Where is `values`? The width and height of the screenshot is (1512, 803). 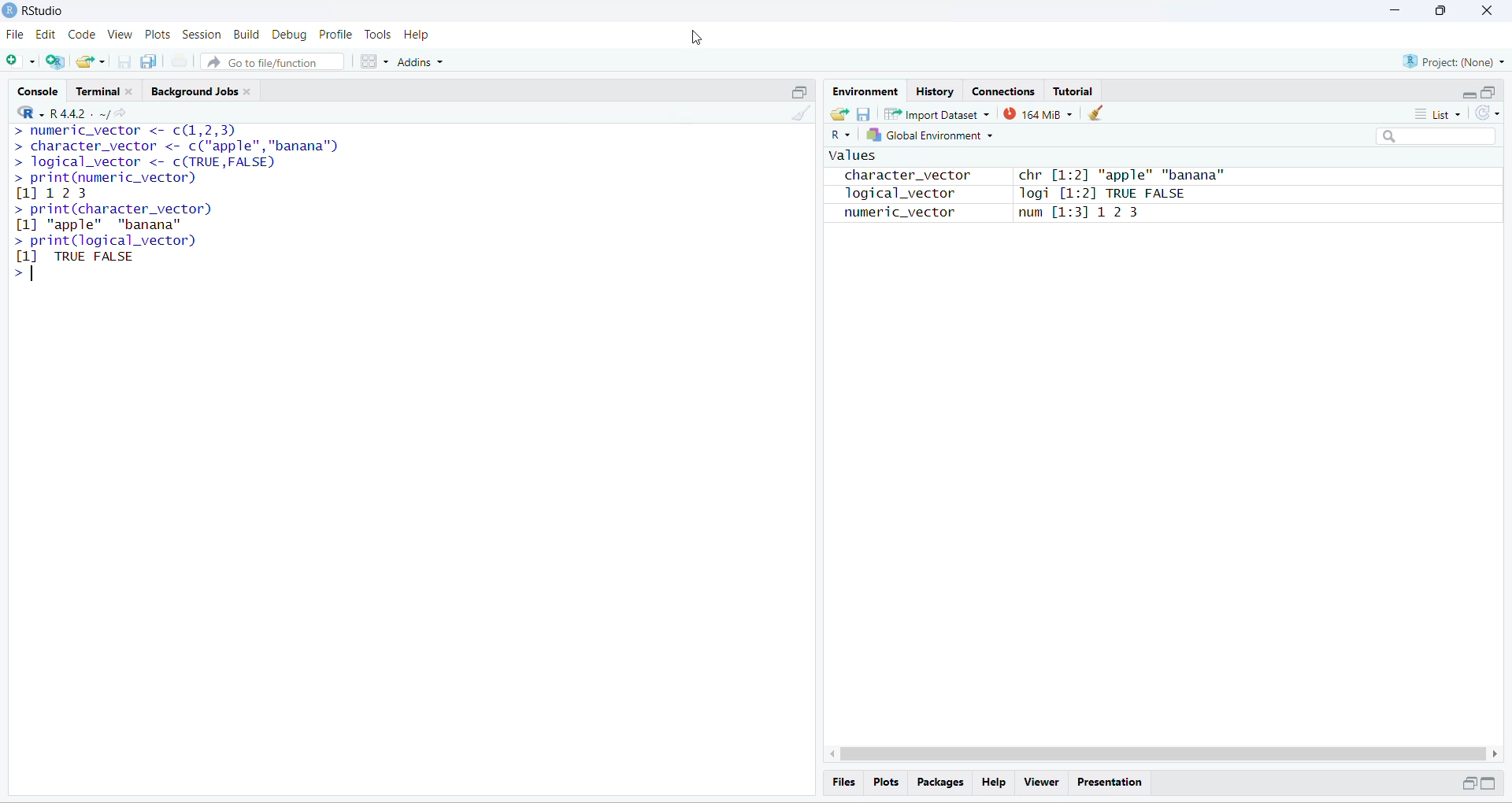
values is located at coordinates (850, 157).